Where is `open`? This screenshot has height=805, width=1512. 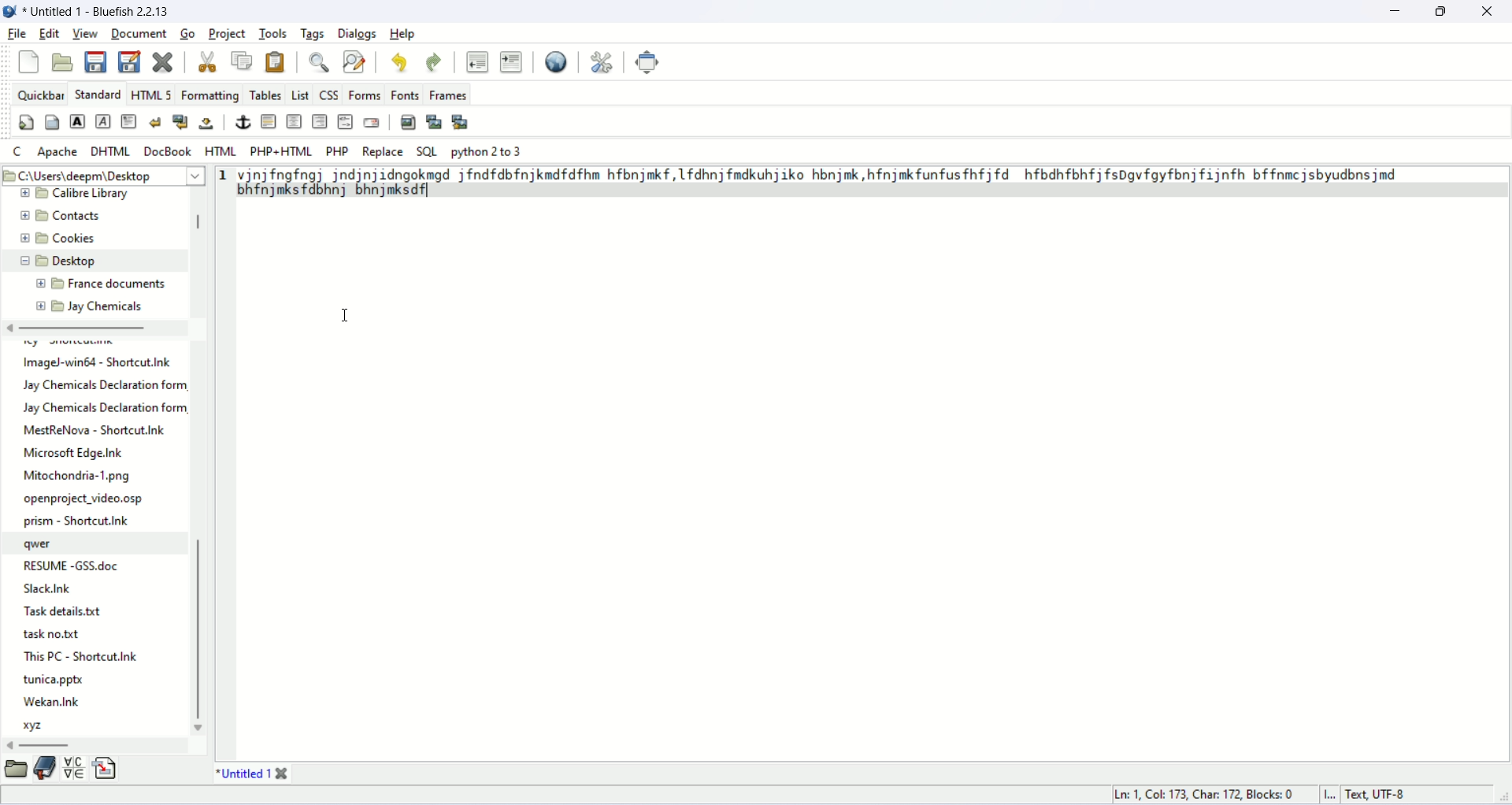
open is located at coordinates (63, 60).